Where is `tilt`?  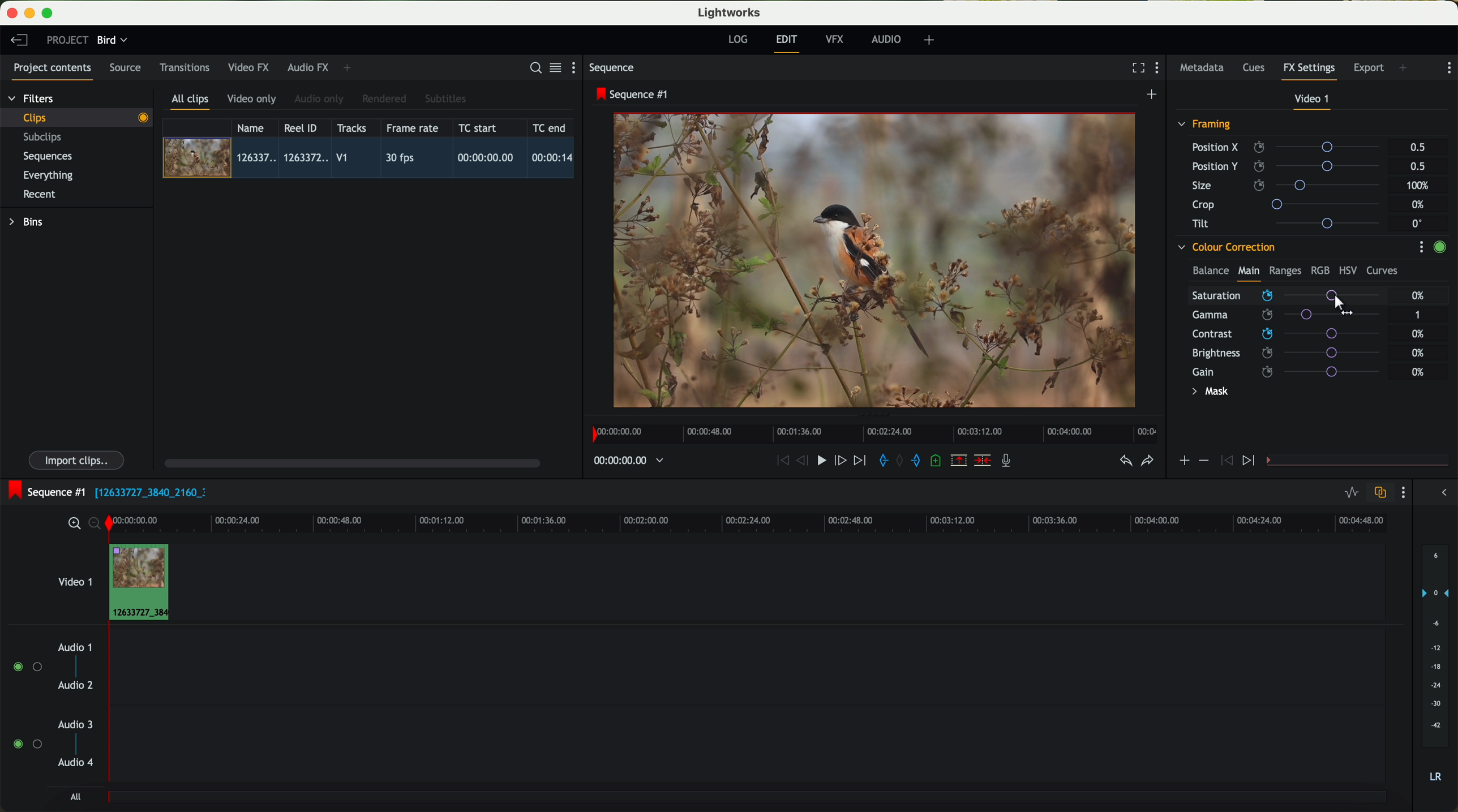 tilt is located at coordinates (1291, 223).